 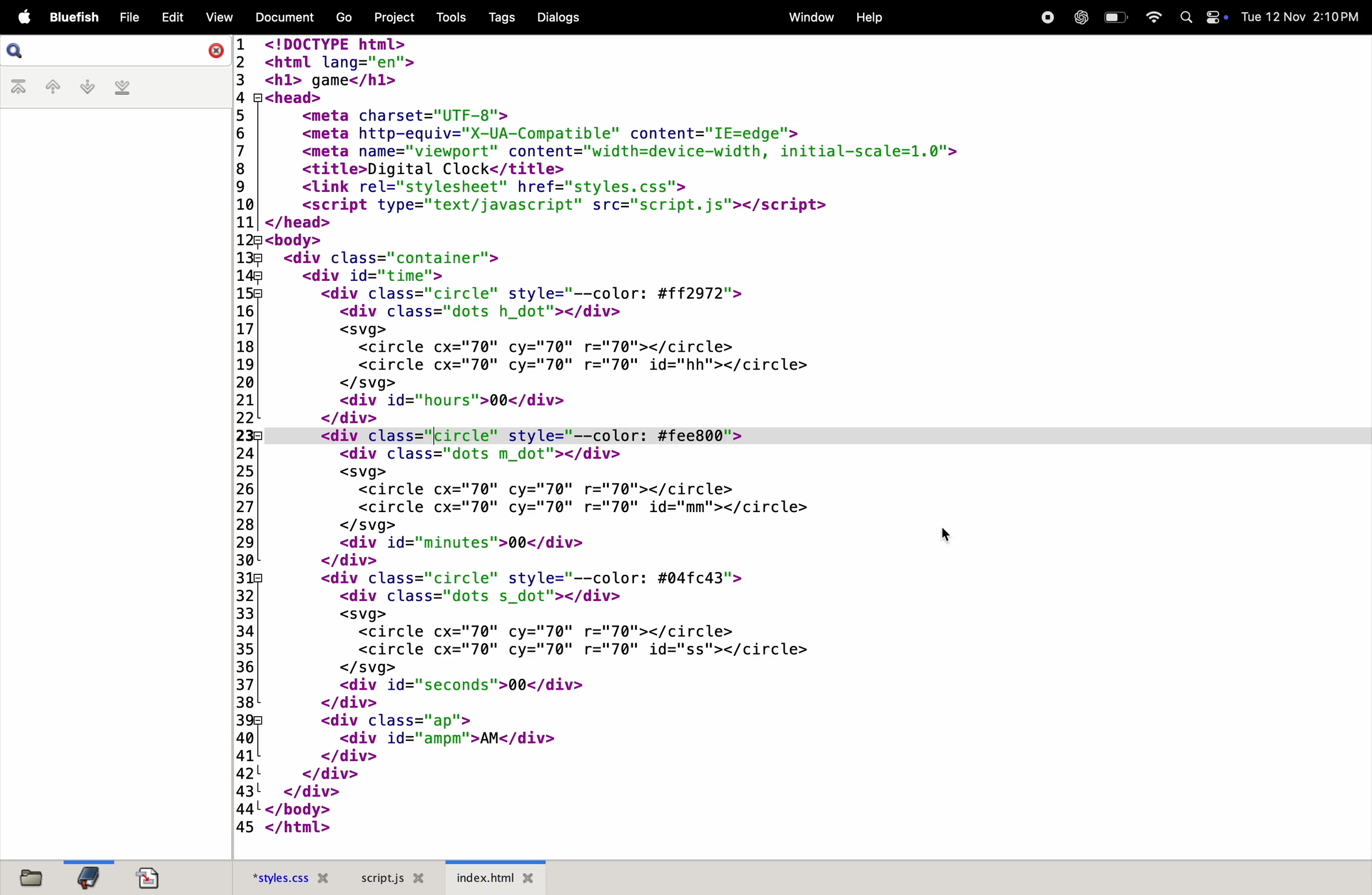 I want to click on view, so click(x=218, y=16).